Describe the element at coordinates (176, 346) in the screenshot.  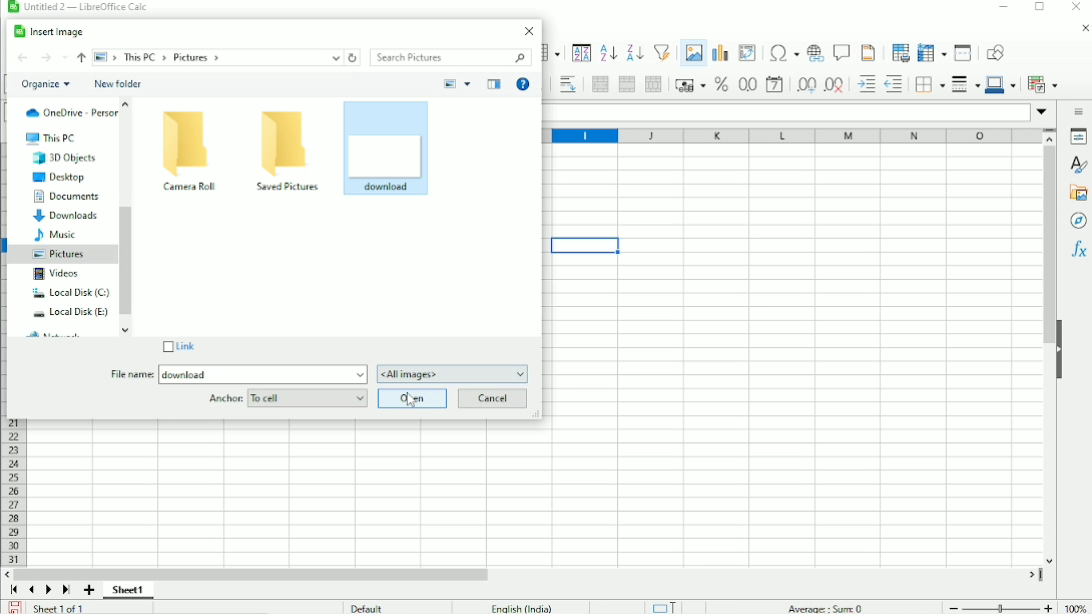
I see `Link` at that location.